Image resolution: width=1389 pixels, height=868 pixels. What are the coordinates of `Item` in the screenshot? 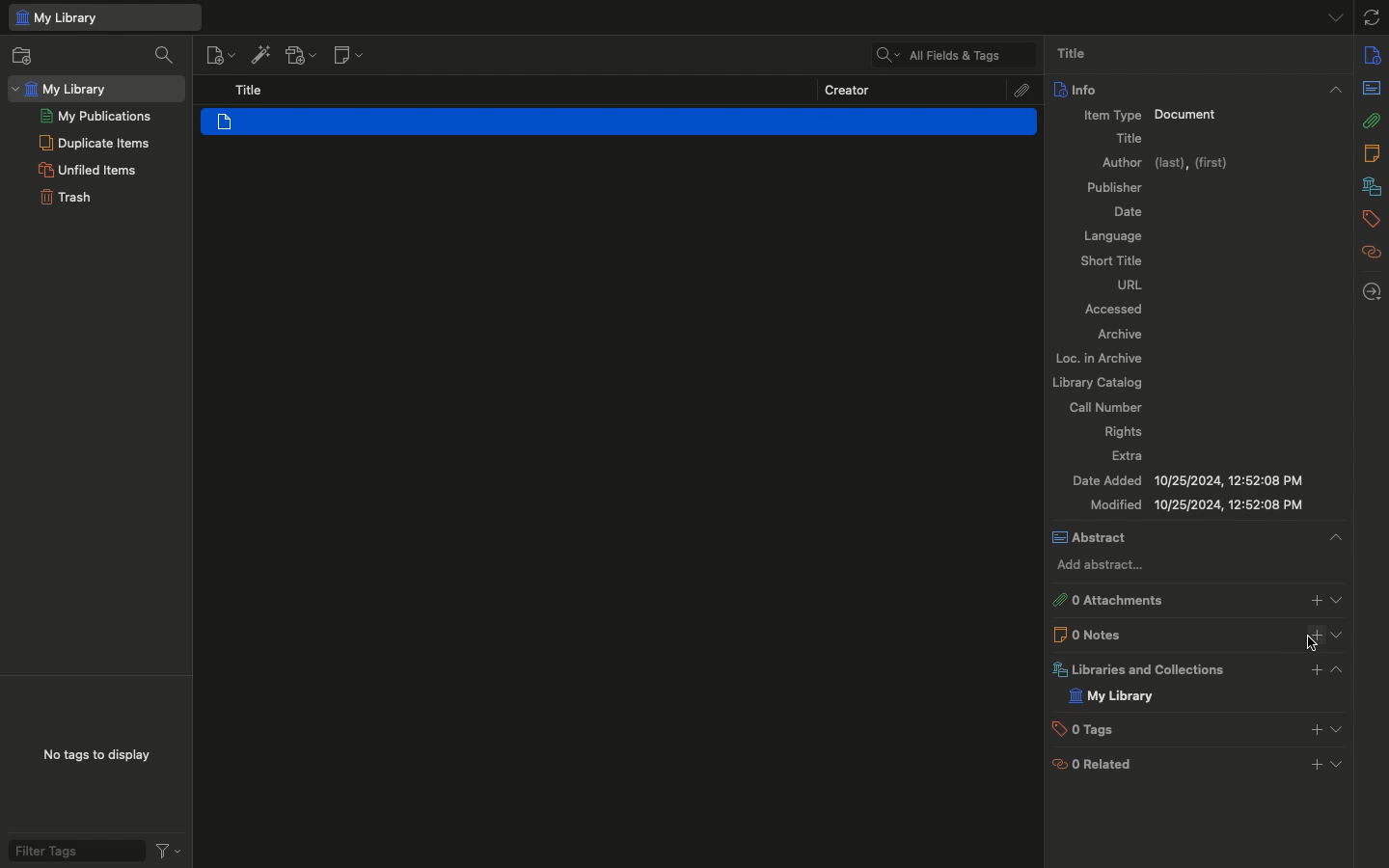 It's located at (618, 121).